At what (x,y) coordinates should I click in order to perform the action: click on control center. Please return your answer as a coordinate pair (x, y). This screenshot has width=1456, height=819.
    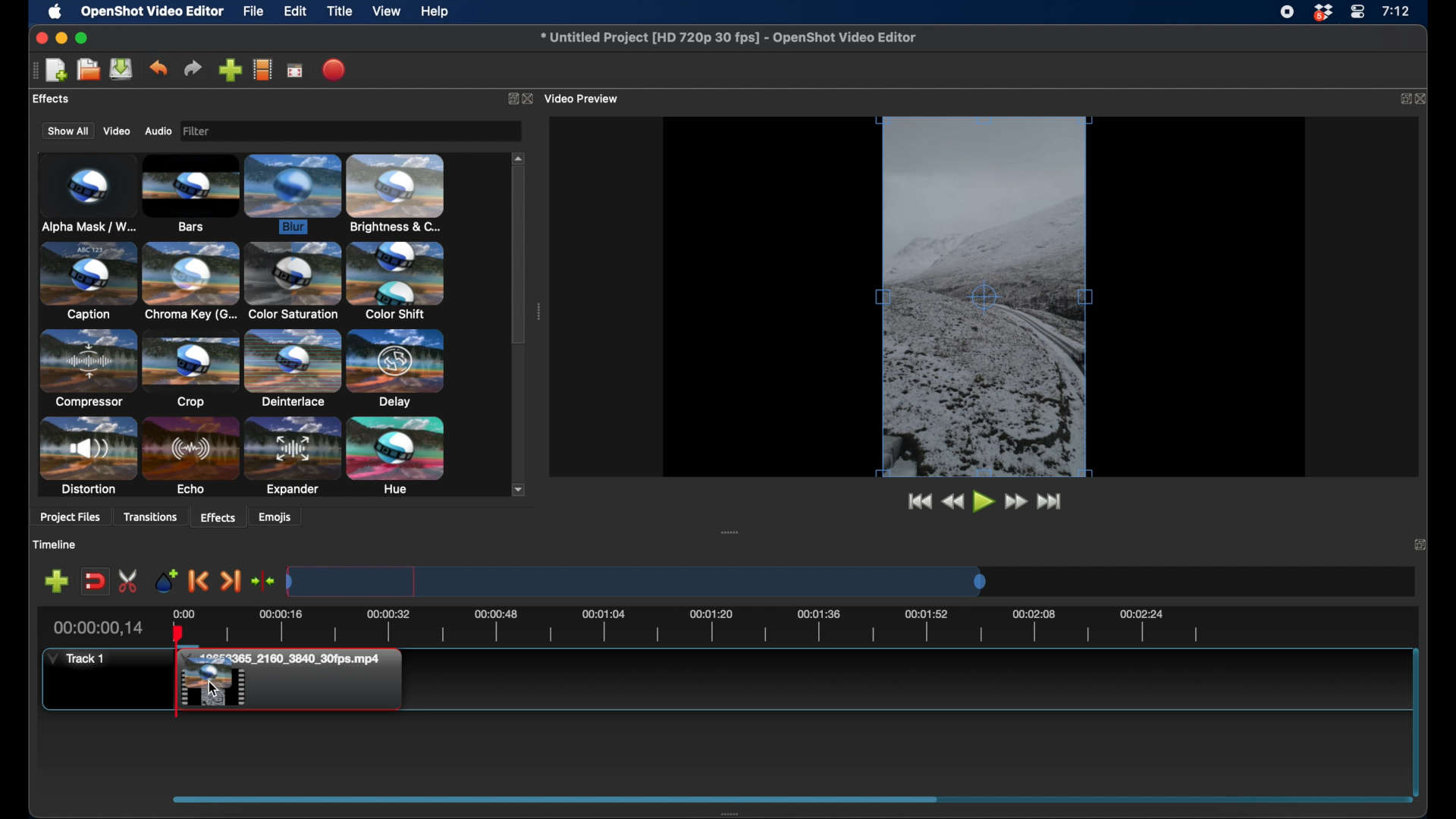
    Looking at the image, I should click on (1357, 12).